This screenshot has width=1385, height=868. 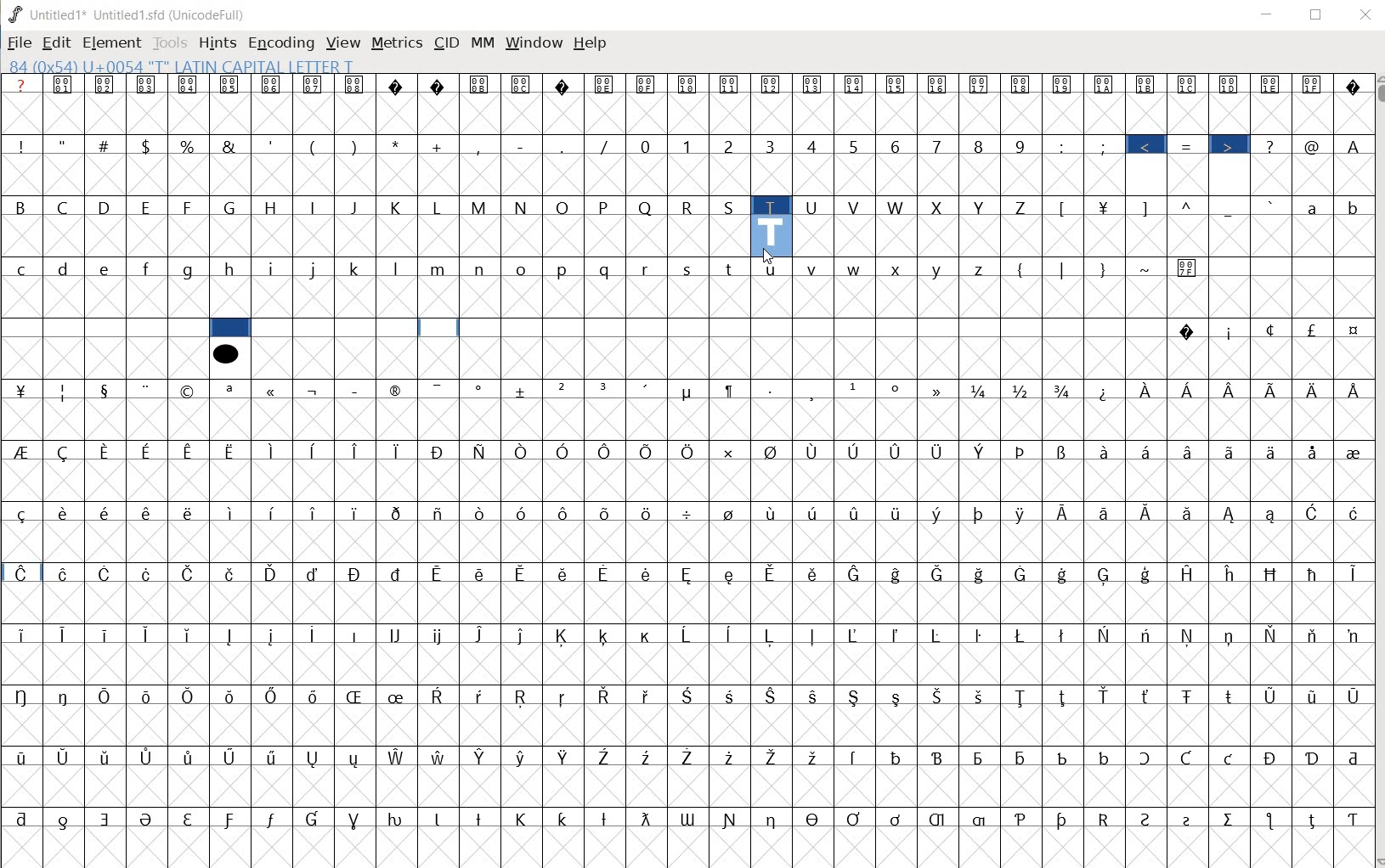 I want to click on !, so click(x=20, y=144).